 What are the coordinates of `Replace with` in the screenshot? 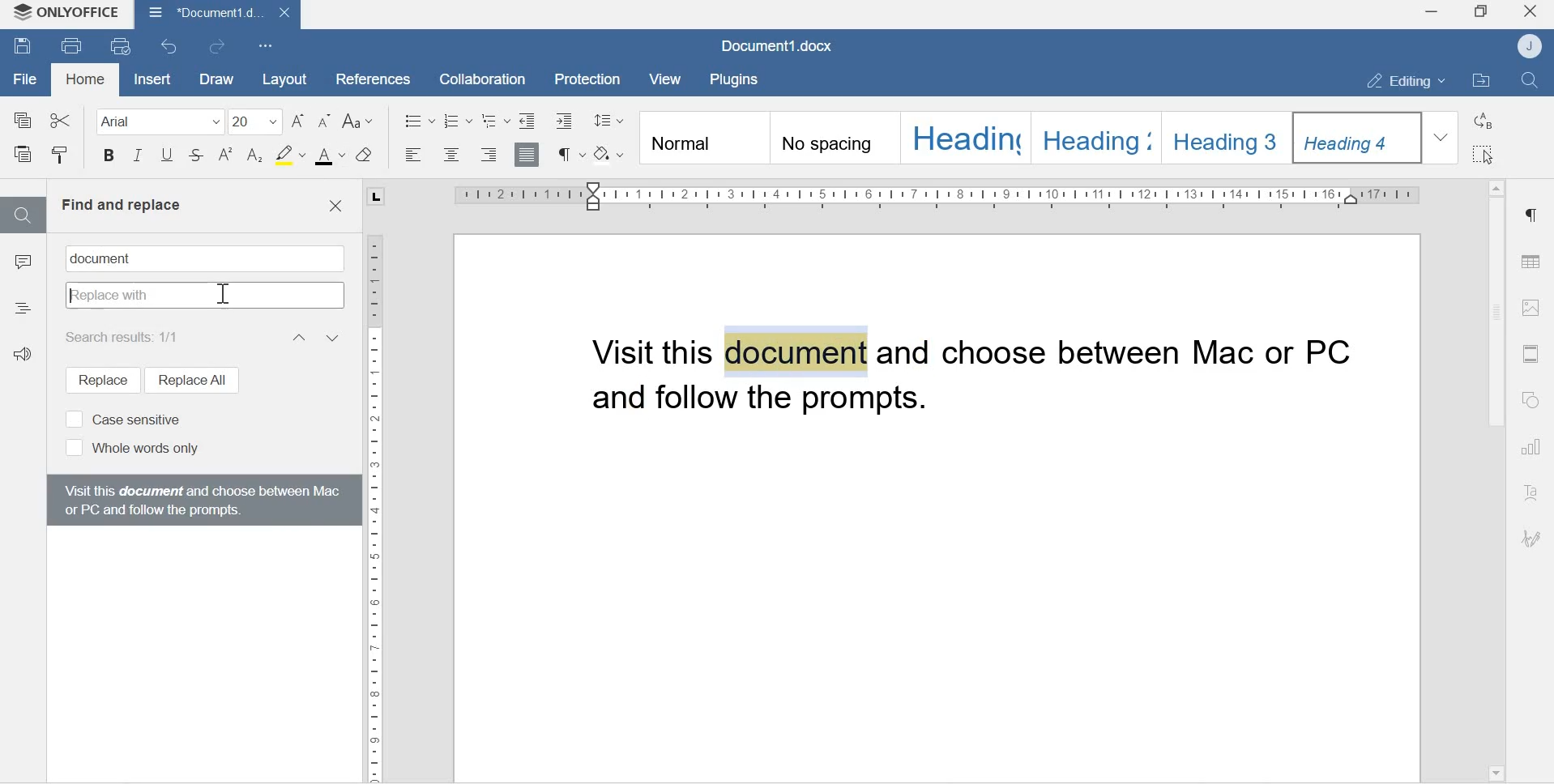 It's located at (205, 297).